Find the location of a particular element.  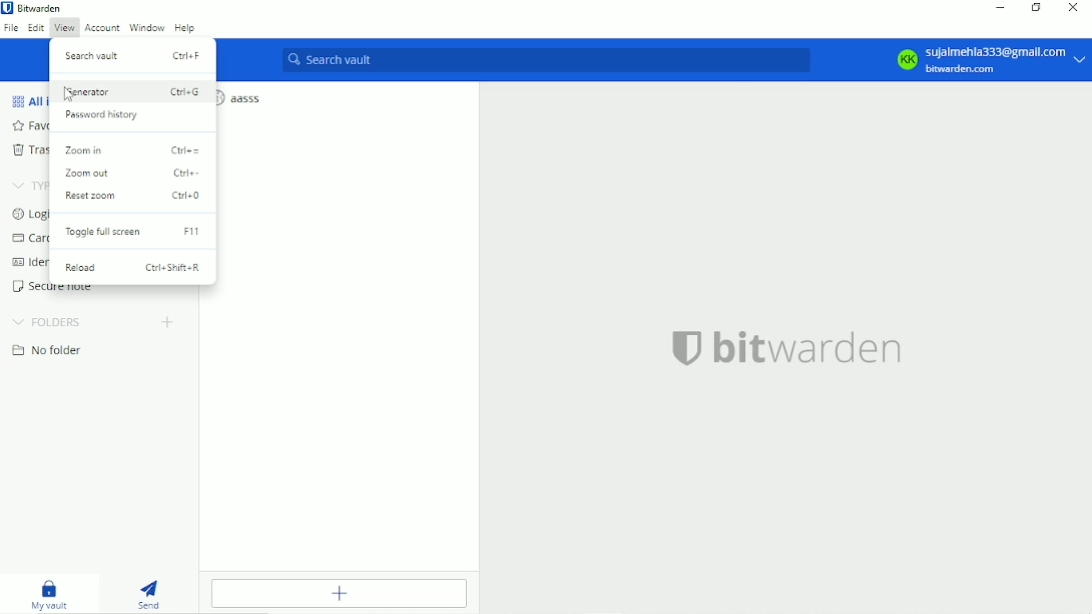

File is located at coordinates (12, 29).